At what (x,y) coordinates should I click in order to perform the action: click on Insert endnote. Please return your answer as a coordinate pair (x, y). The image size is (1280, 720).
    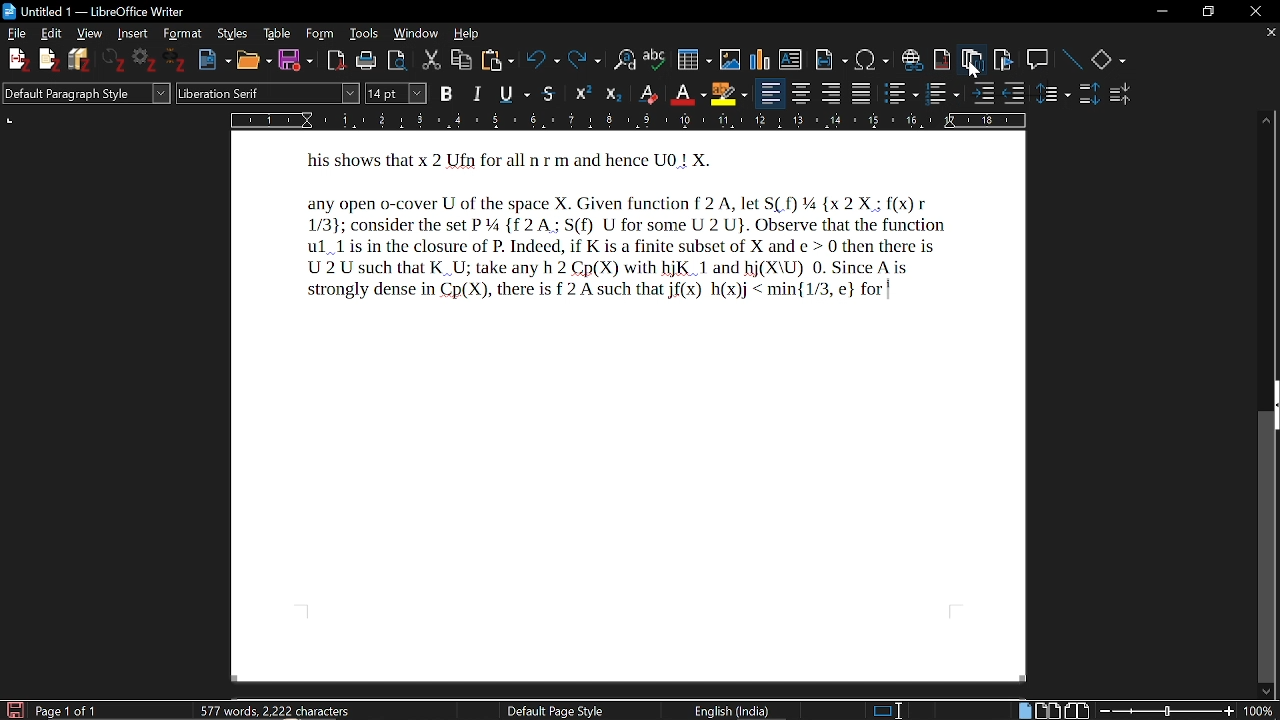
    Looking at the image, I should click on (971, 62).